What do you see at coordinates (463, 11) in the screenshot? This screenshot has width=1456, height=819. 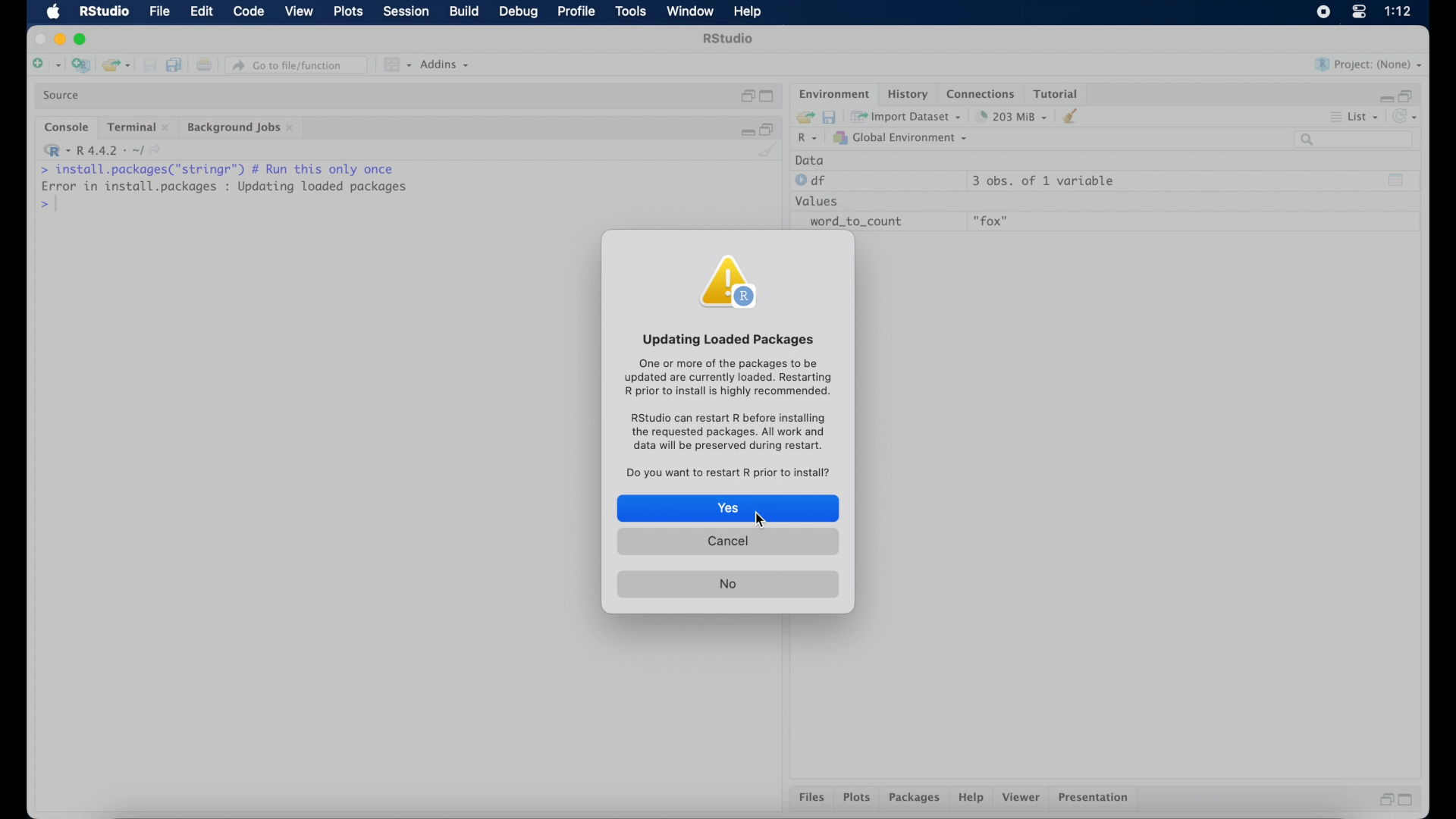 I see `build` at bounding box center [463, 11].